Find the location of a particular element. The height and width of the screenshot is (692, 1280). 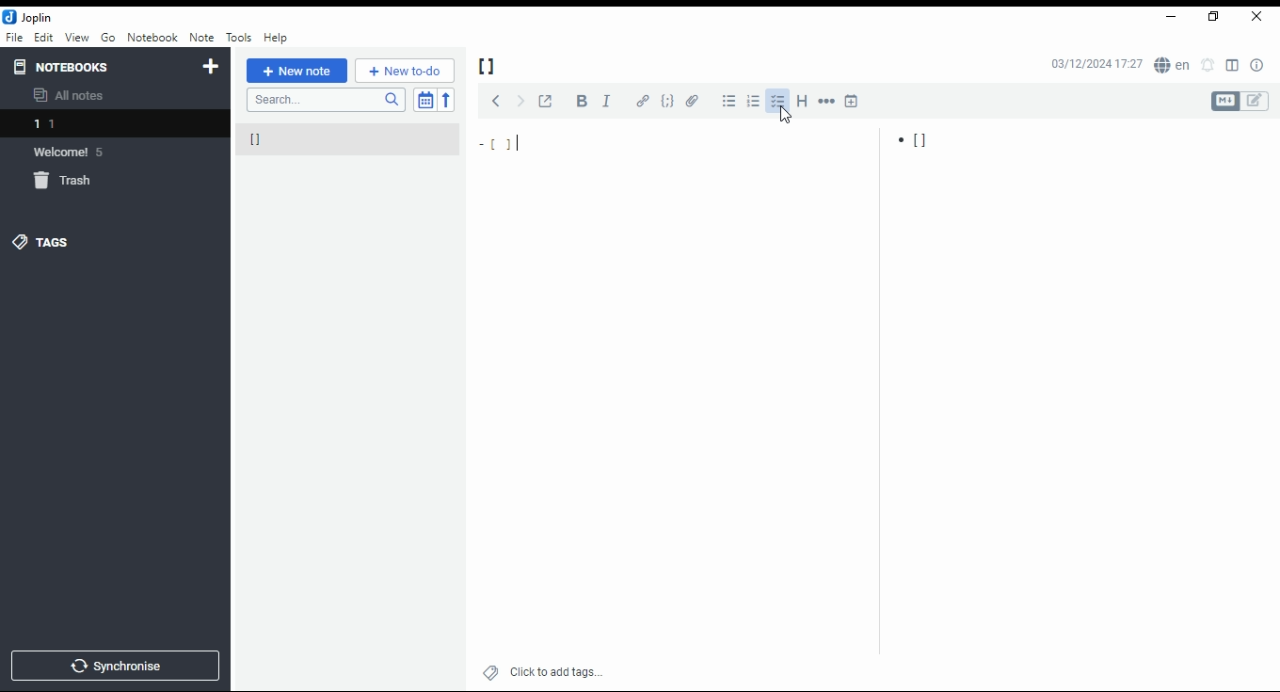

toggle external editing is located at coordinates (545, 101).